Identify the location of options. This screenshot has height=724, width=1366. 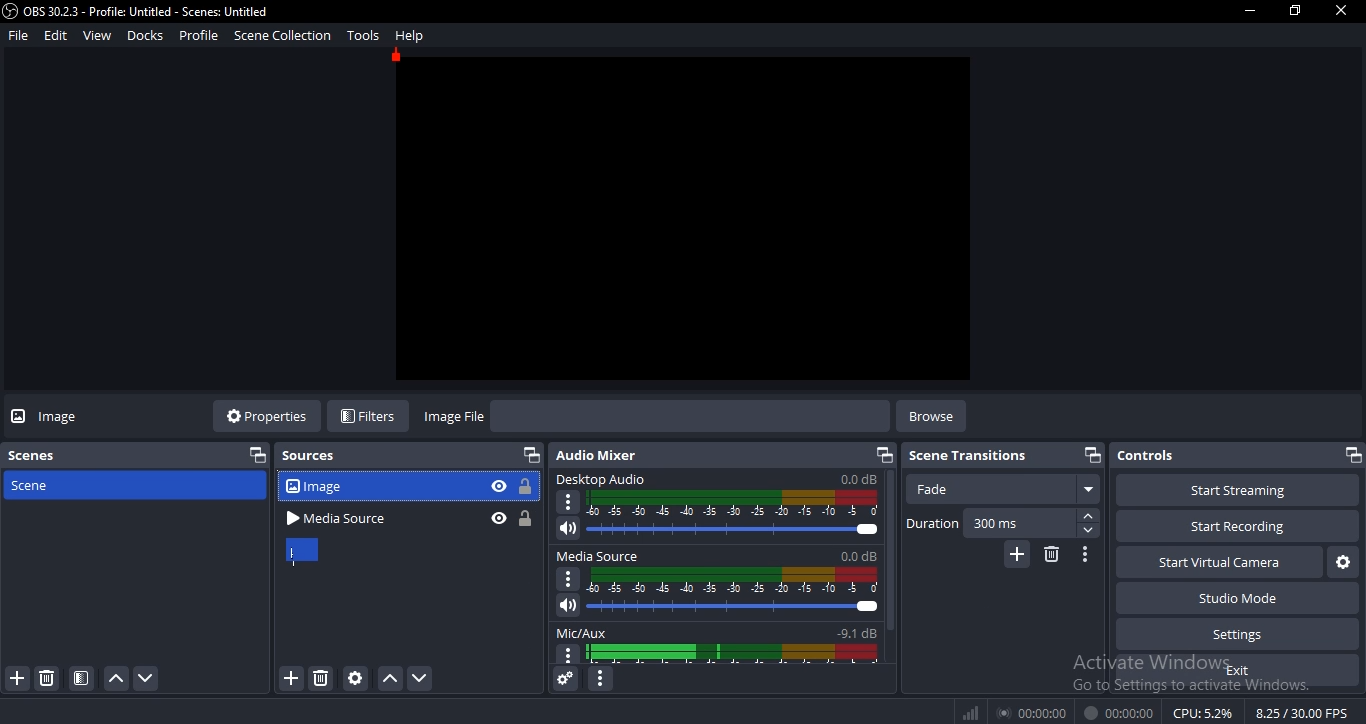
(566, 580).